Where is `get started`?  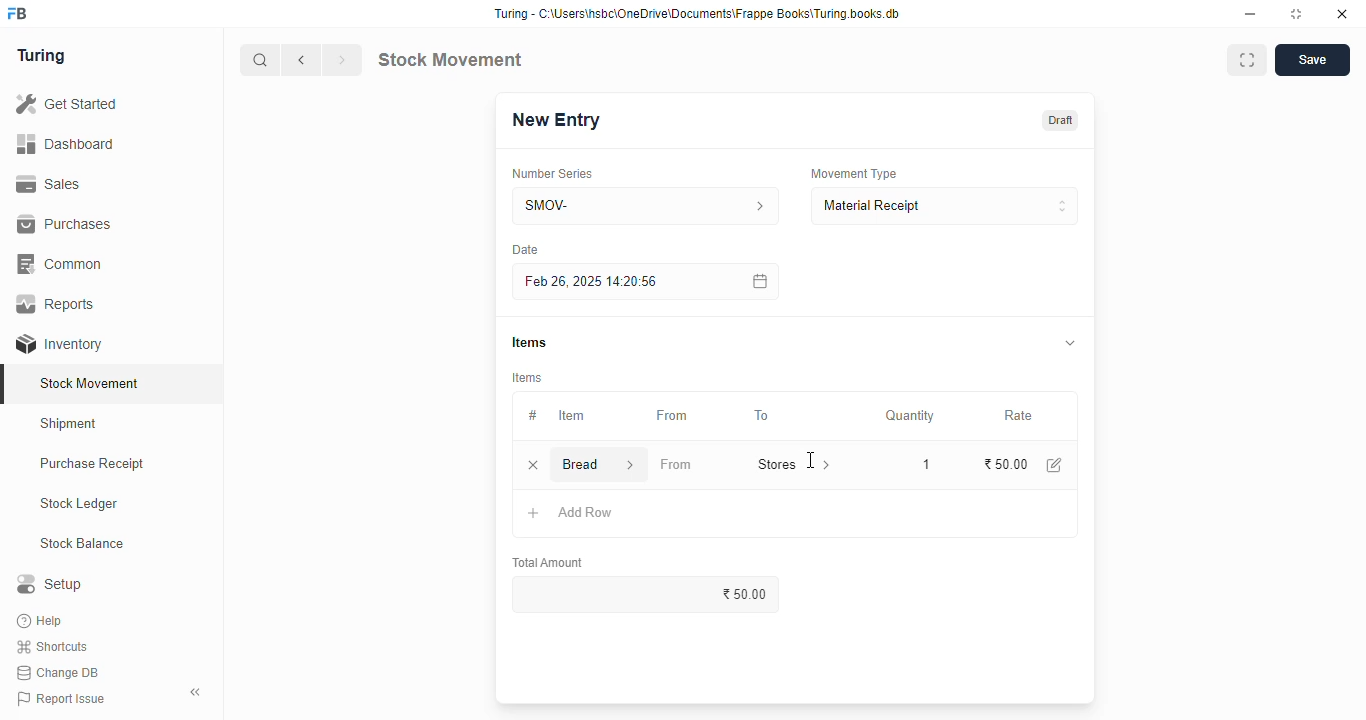
get started is located at coordinates (68, 104).